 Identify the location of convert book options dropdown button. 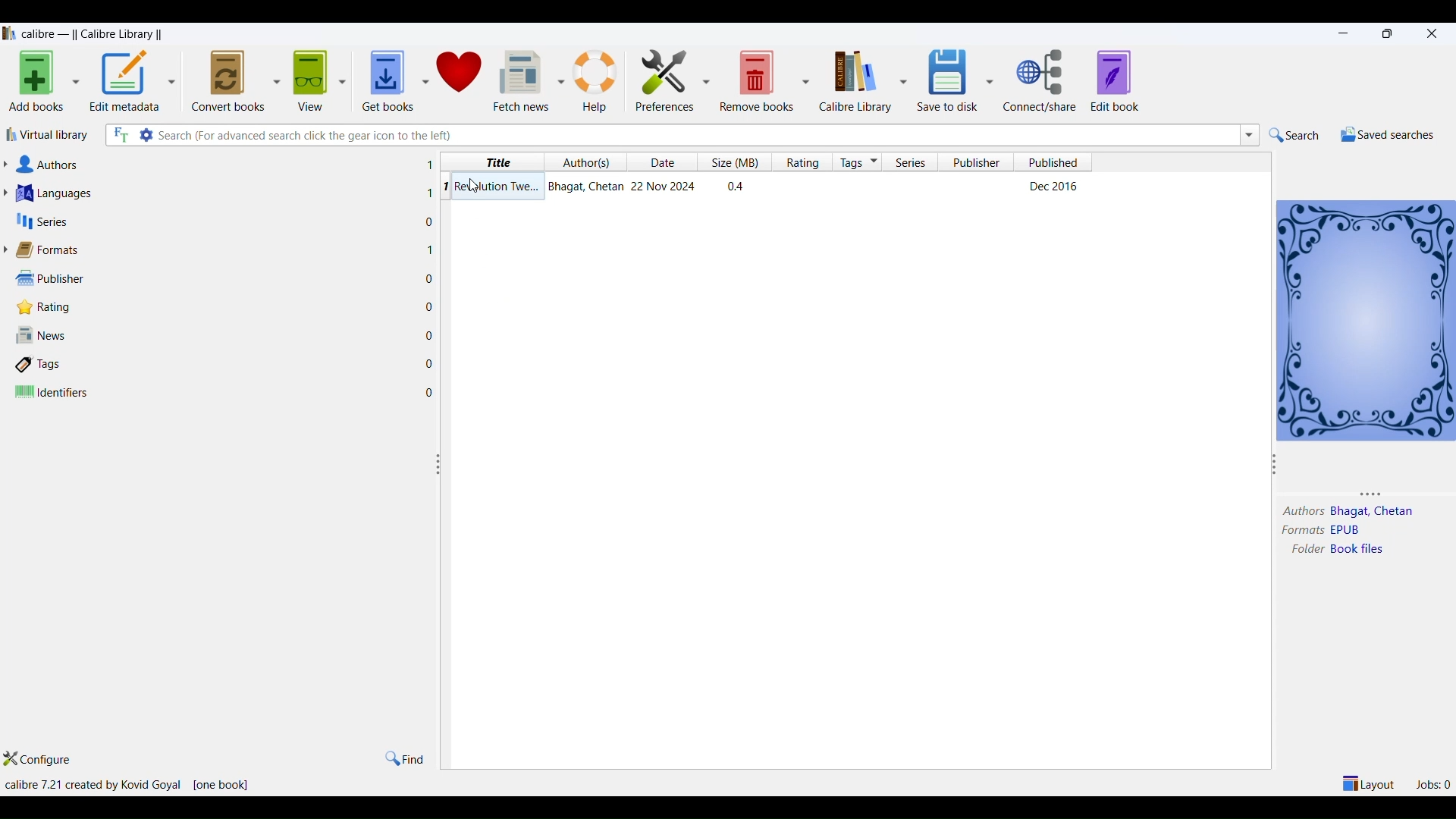
(275, 74).